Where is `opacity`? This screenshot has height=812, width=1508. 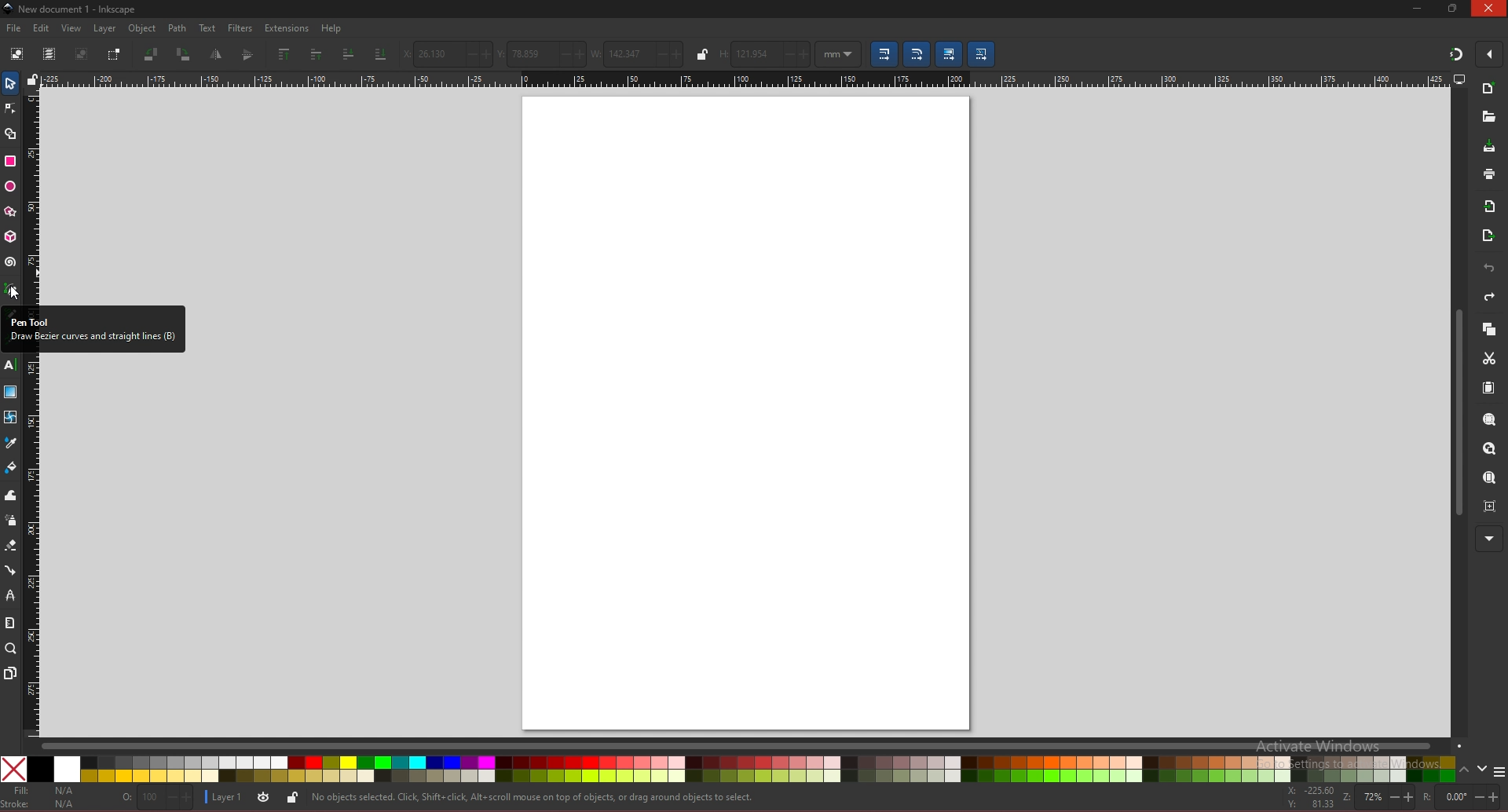
opacity is located at coordinates (152, 800).